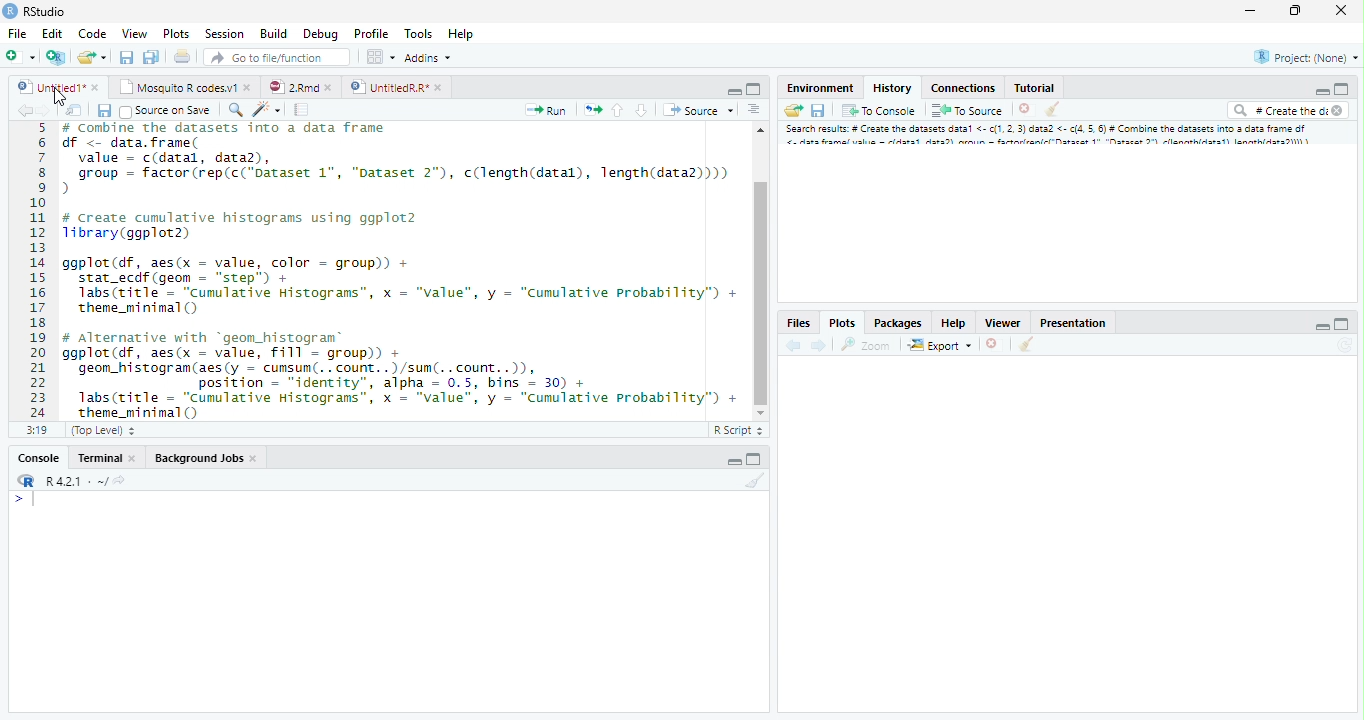 This screenshot has width=1364, height=720. Describe the element at coordinates (227, 34) in the screenshot. I see `Session` at that location.